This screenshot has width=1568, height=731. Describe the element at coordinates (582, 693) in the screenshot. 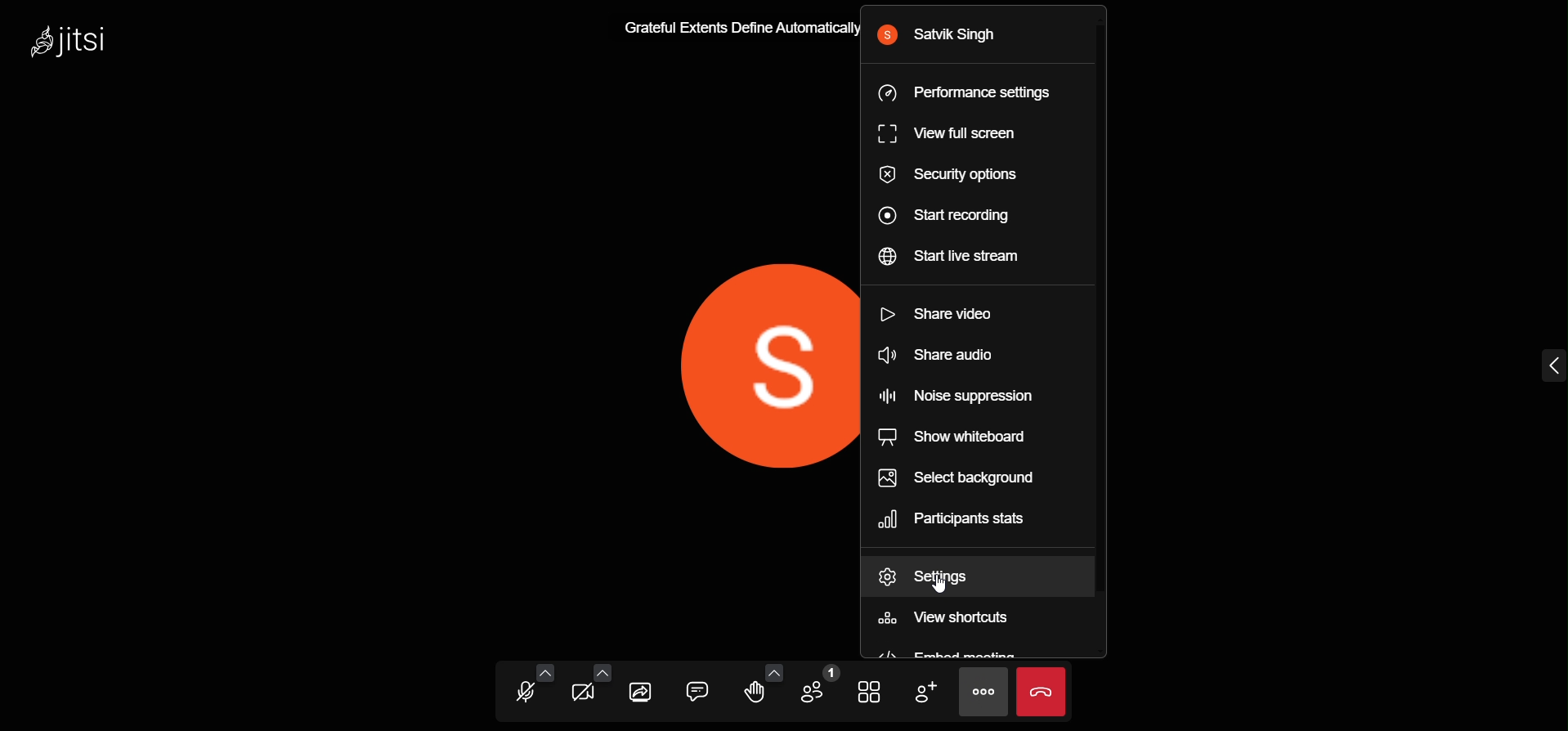

I see `video` at that location.